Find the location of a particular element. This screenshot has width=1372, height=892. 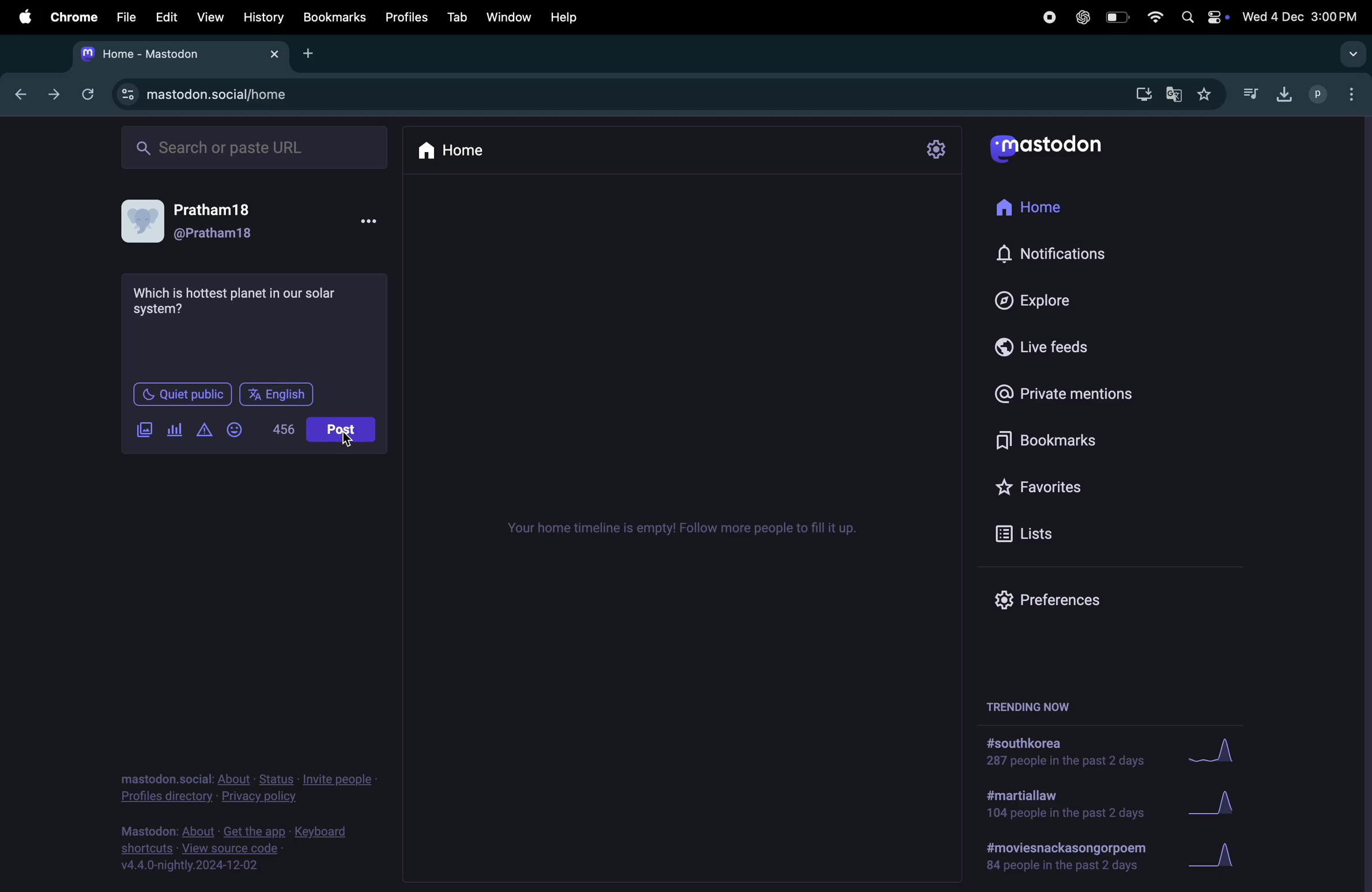

post is located at coordinates (341, 429).